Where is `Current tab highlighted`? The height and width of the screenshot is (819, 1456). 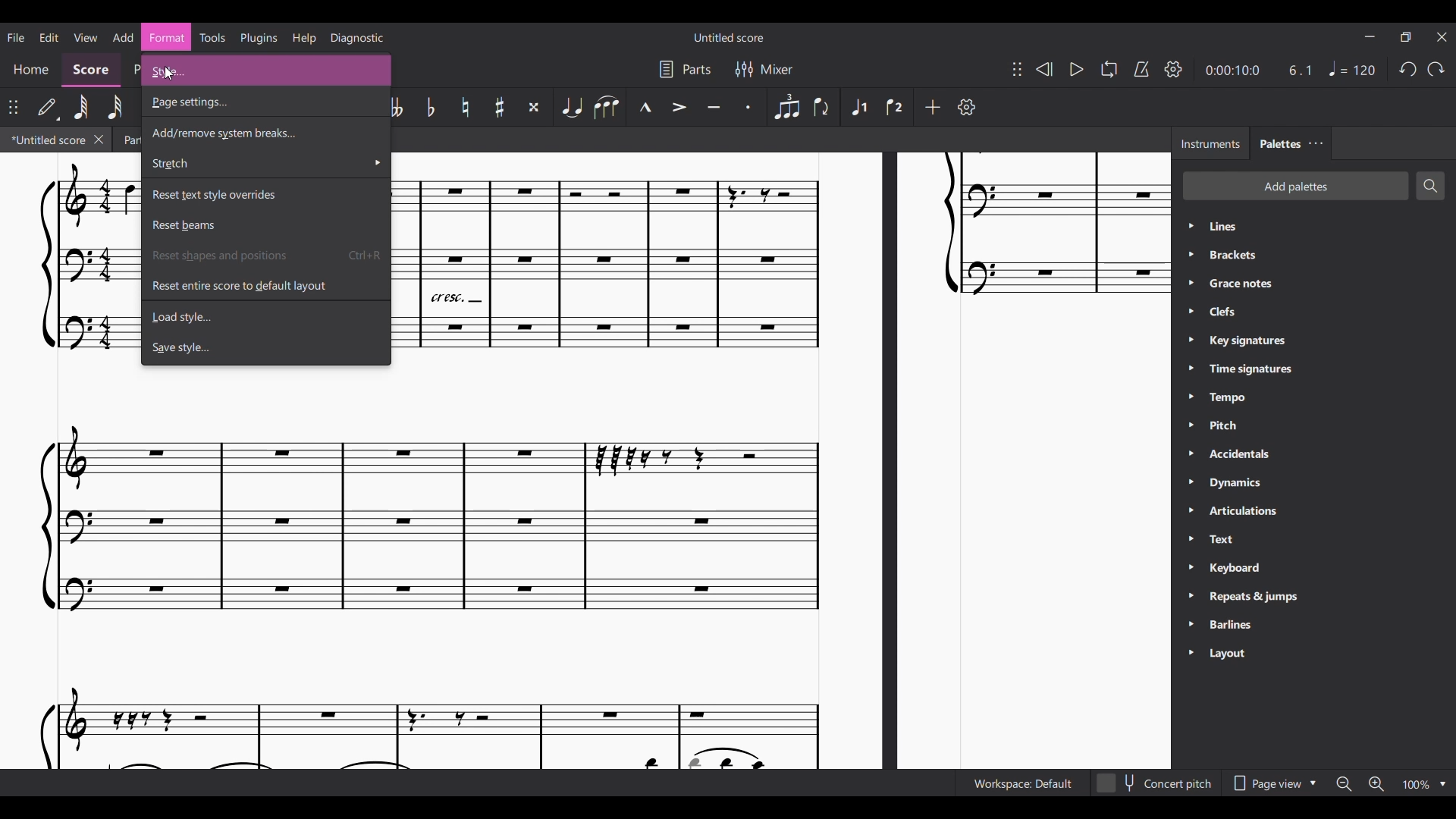 Current tab highlighted is located at coordinates (46, 140).